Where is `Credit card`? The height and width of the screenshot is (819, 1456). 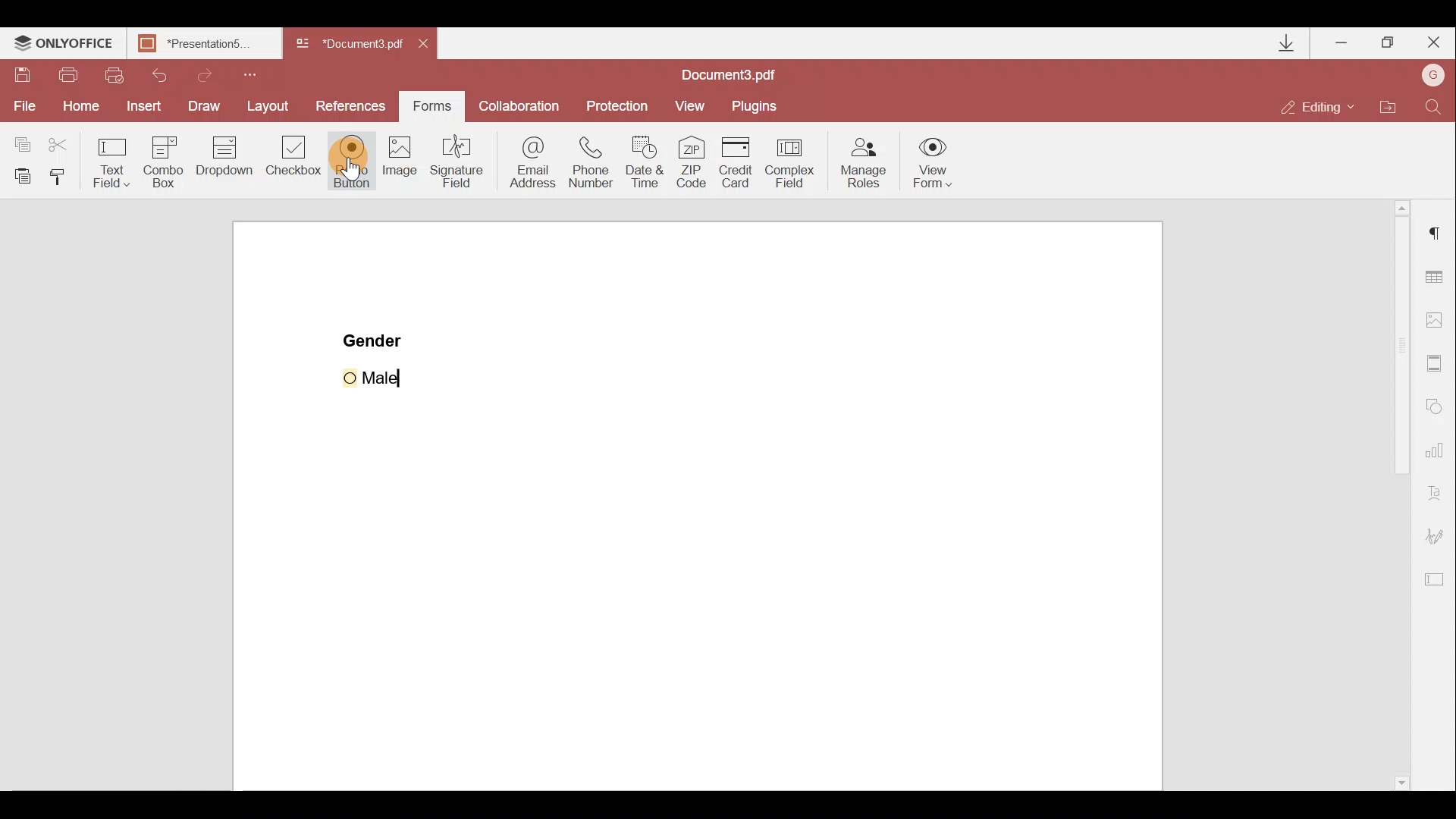
Credit card is located at coordinates (736, 158).